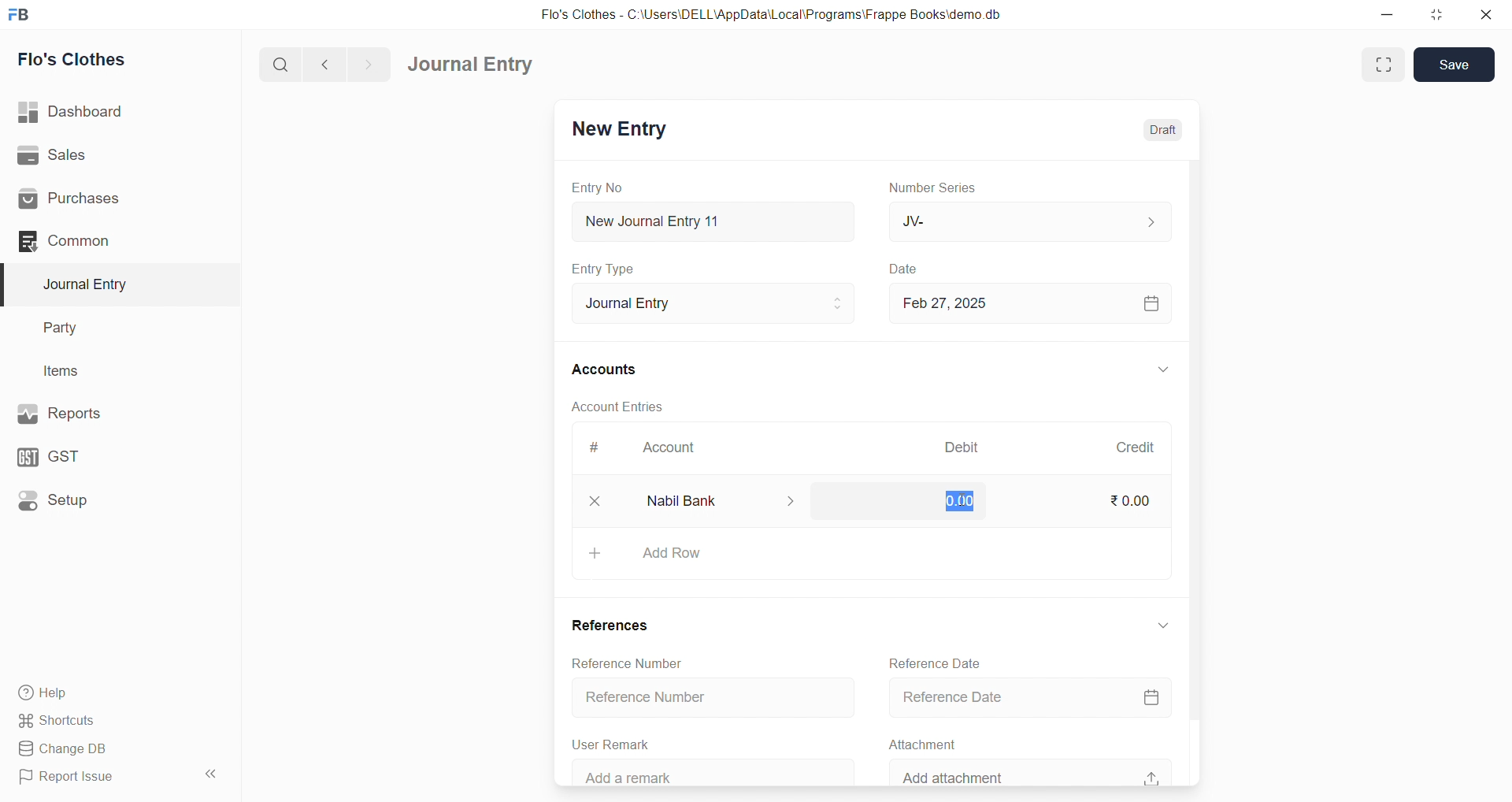  What do you see at coordinates (1455, 65) in the screenshot?
I see `Save` at bounding box center [1455, 65].